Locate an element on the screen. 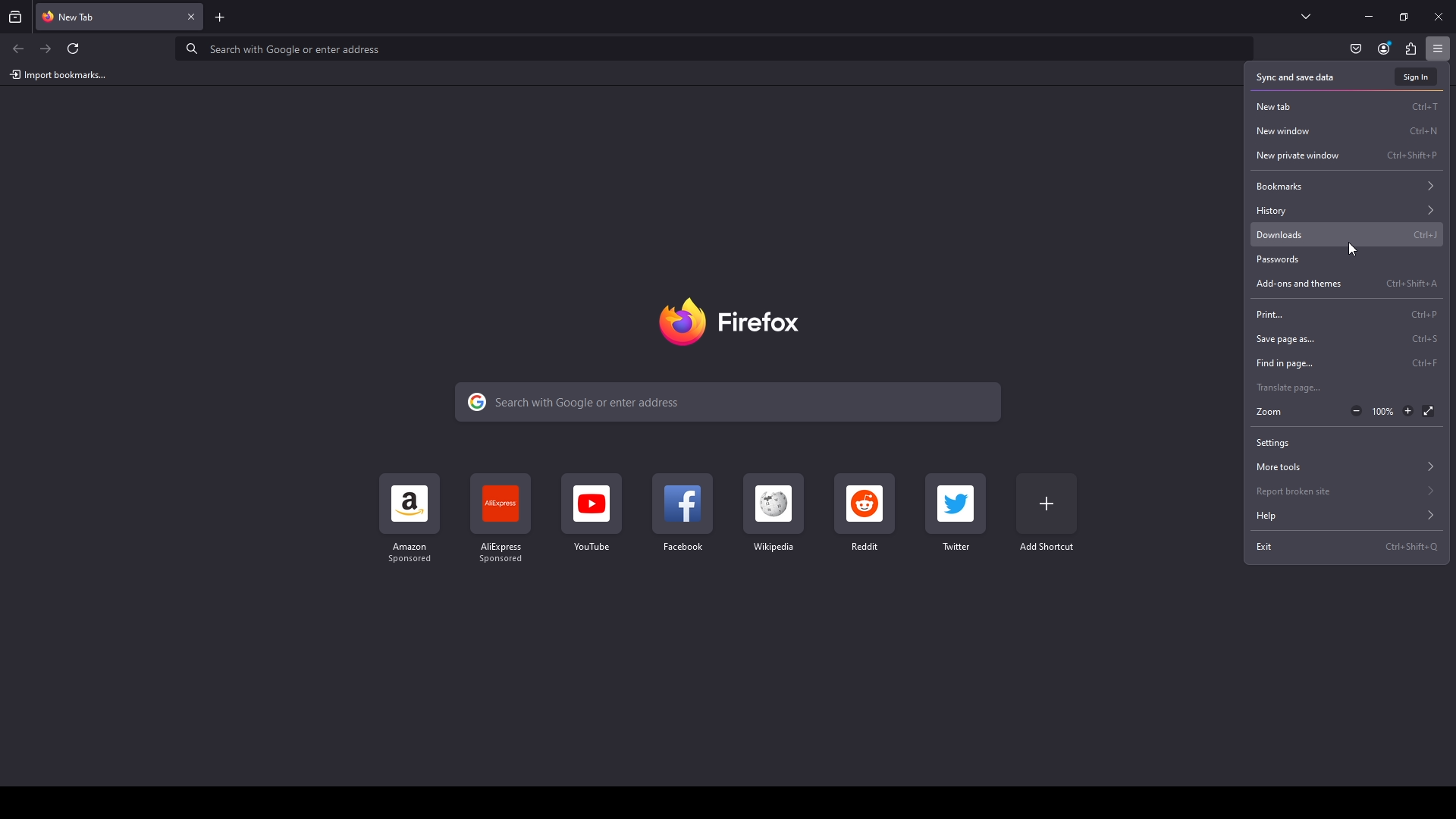  More tools is located at coordinates (1347, 466).